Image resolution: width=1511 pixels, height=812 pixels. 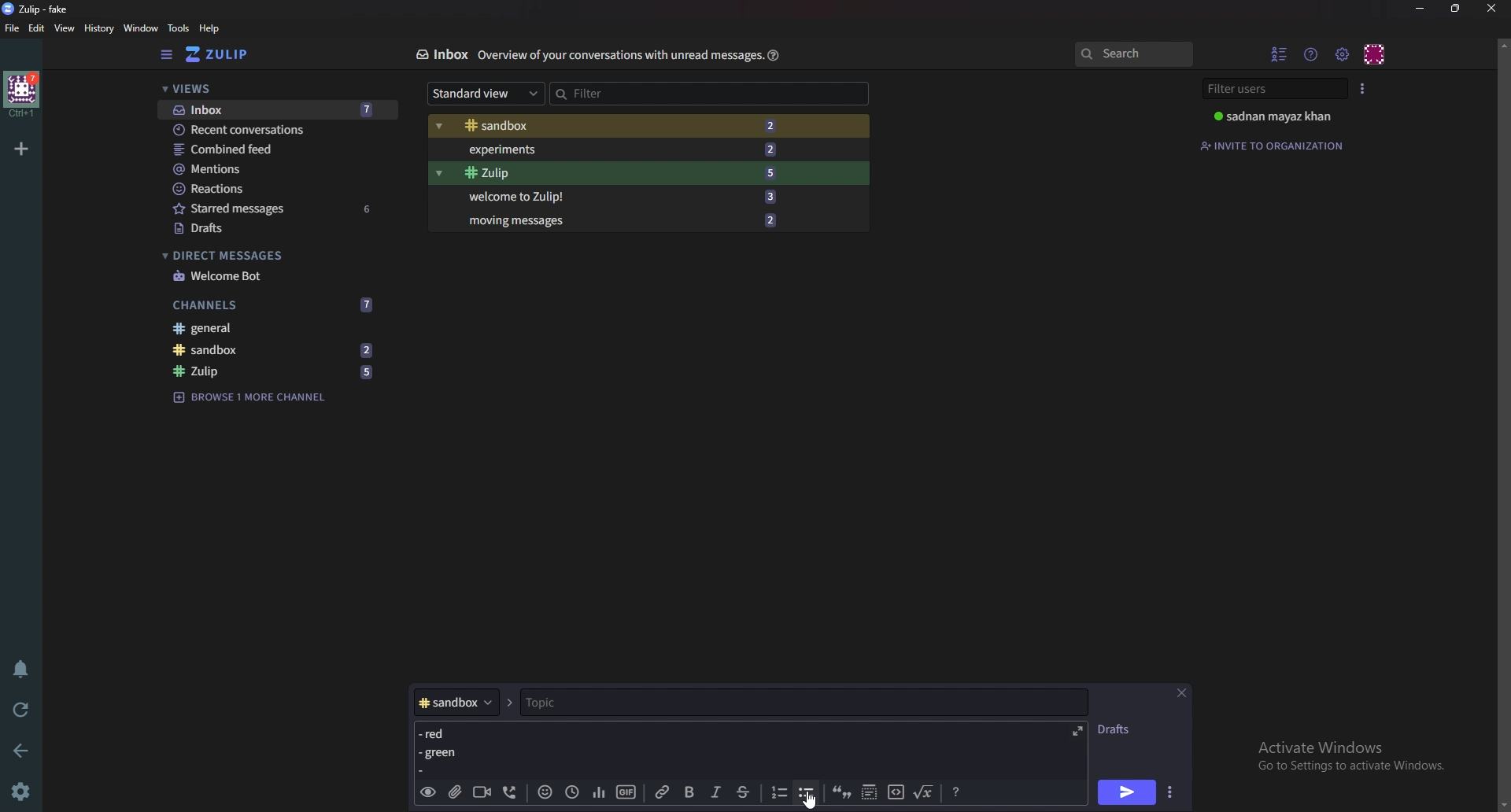 What do you see at coordinates (101, 28) in the screenshot?
I see `History` at bounding box center [101, 28].